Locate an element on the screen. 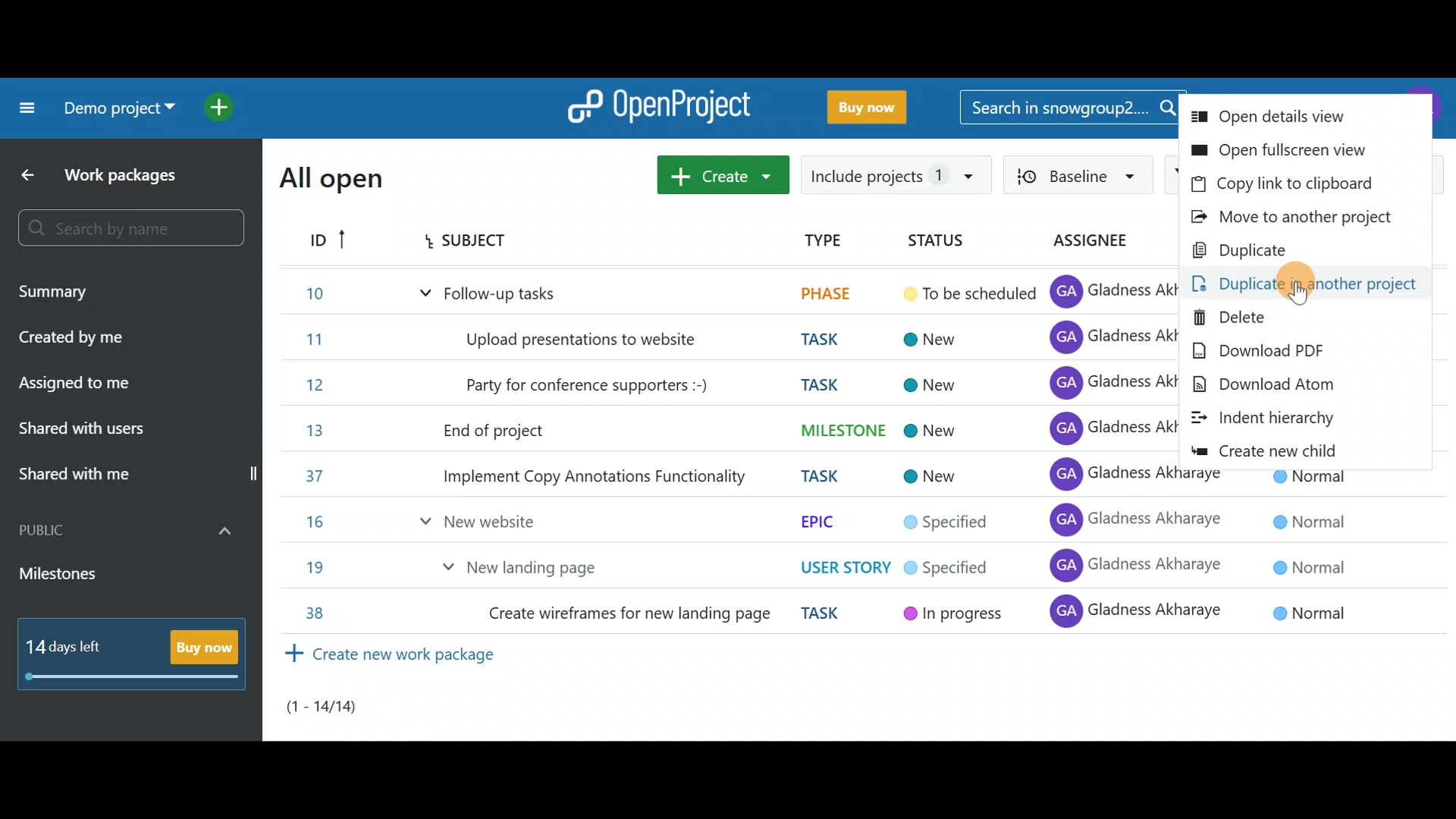  14 days left - Buy now is located at coordinates (129, 655).